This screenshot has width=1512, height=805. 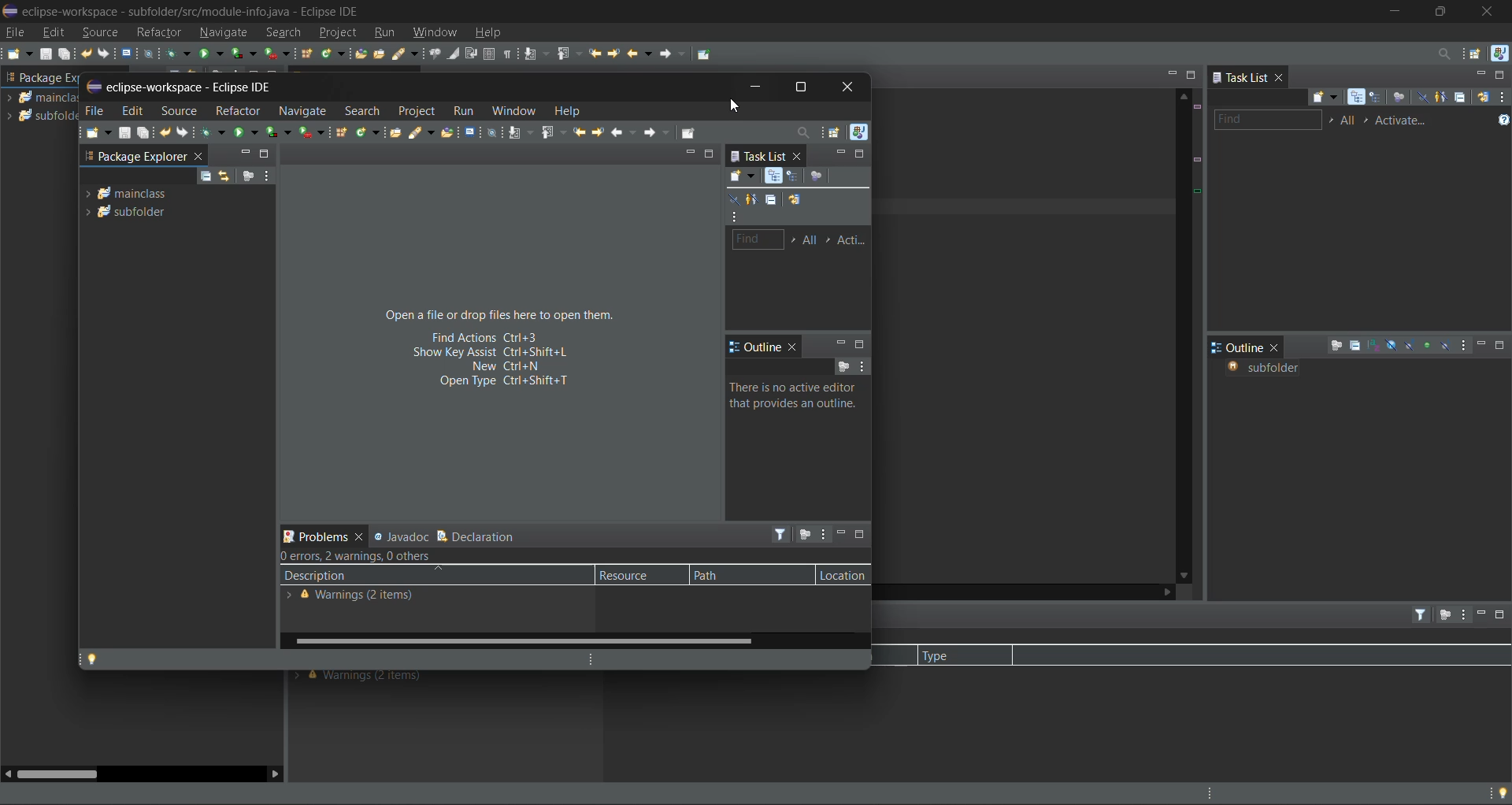 I want to click on show only tasks, so click(x=751, y=199).